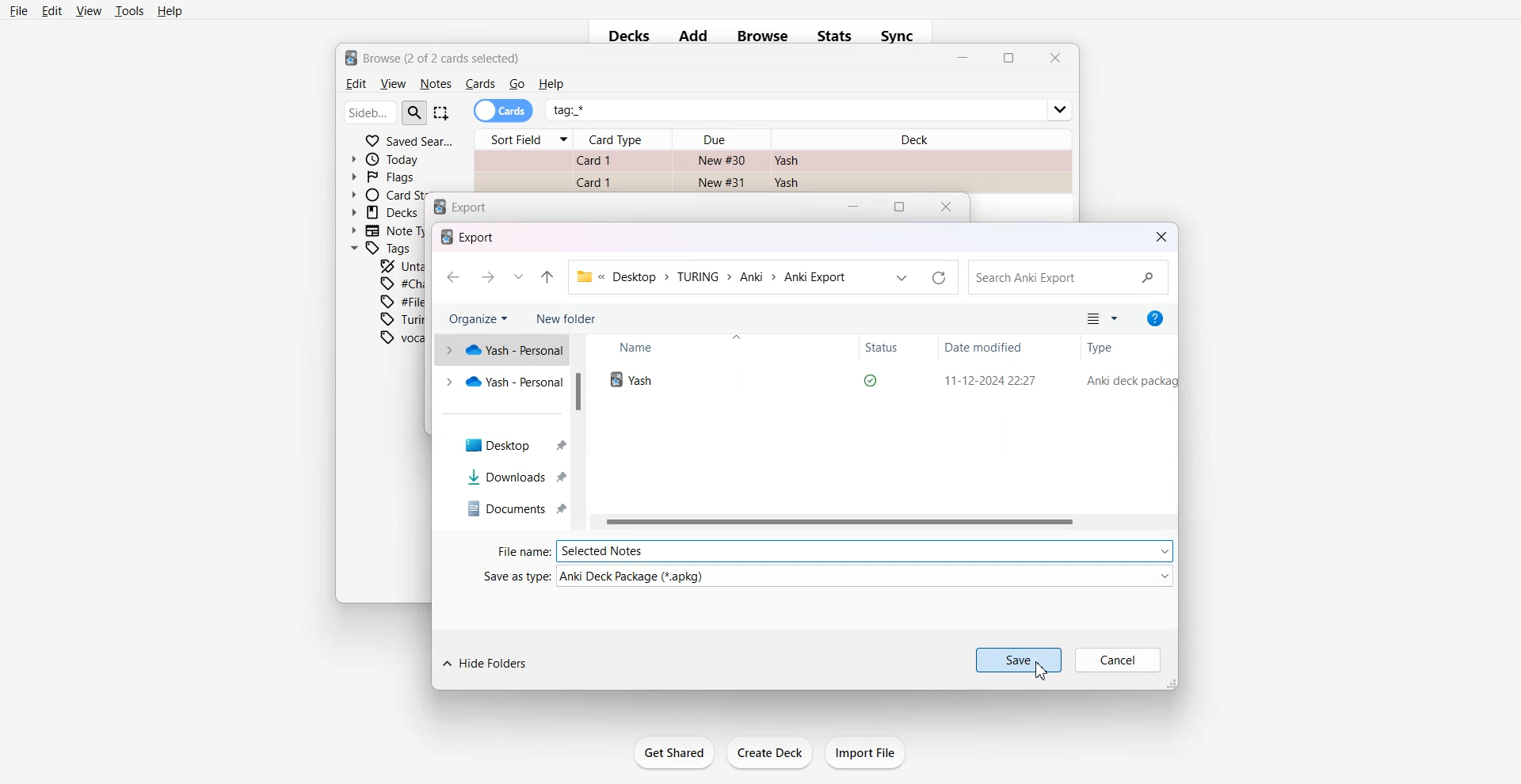 This screenshot has height=784, width=1521. What do you see at coordinates (902, 36) in the screenshot?
I see `Sync` at bounding box center [902, 36].